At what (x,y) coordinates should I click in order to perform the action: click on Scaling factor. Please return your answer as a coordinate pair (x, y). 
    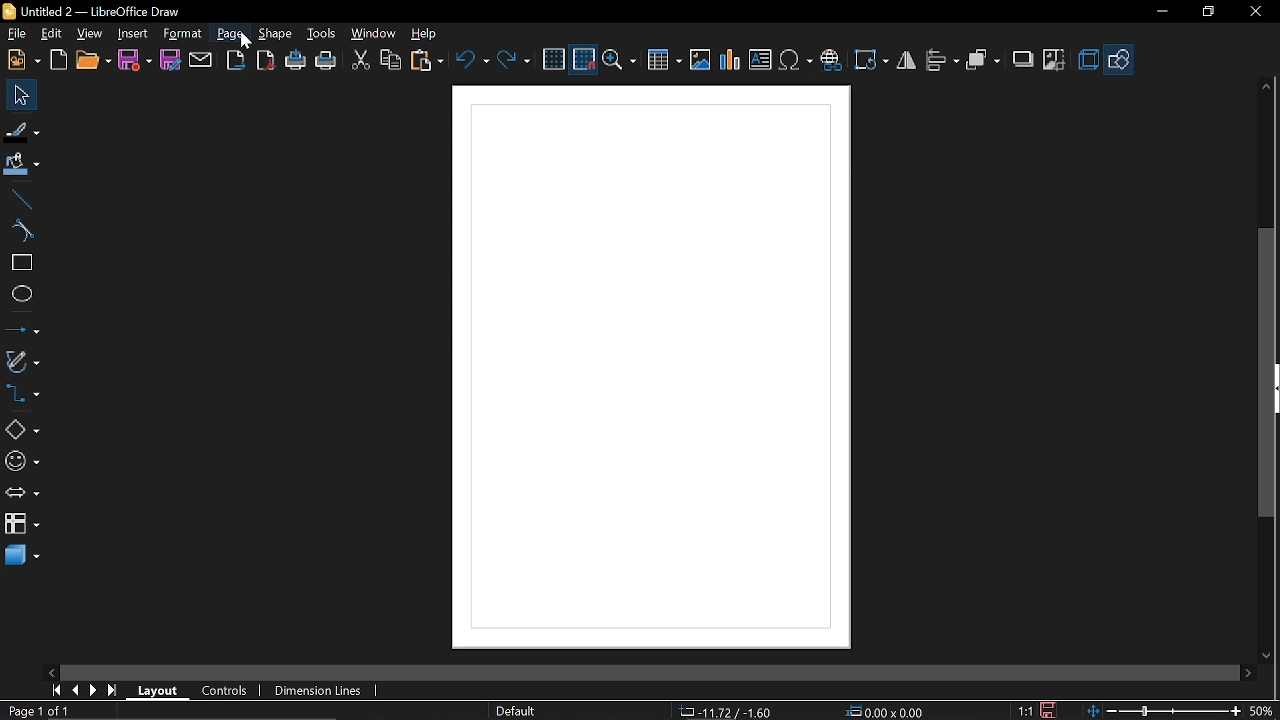
    Looking at the image, I should click on (1024, 710).